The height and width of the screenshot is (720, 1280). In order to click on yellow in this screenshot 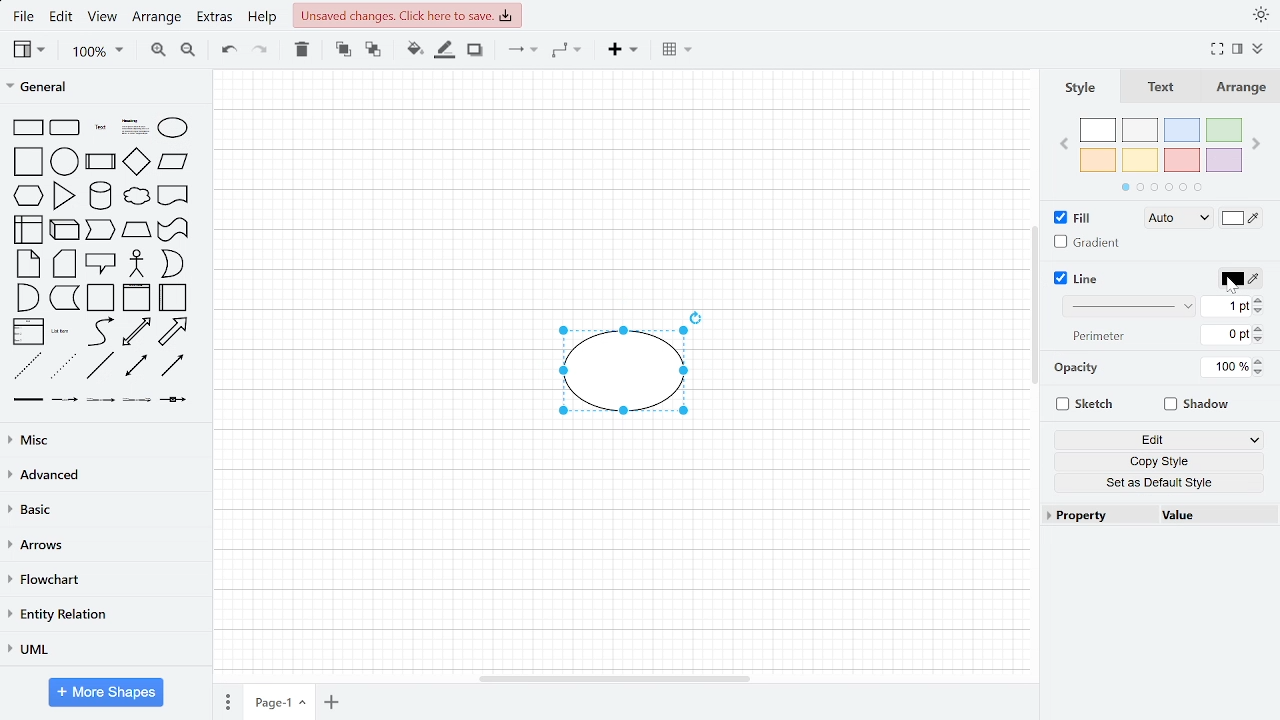, I will do `click(1141, 160)`.